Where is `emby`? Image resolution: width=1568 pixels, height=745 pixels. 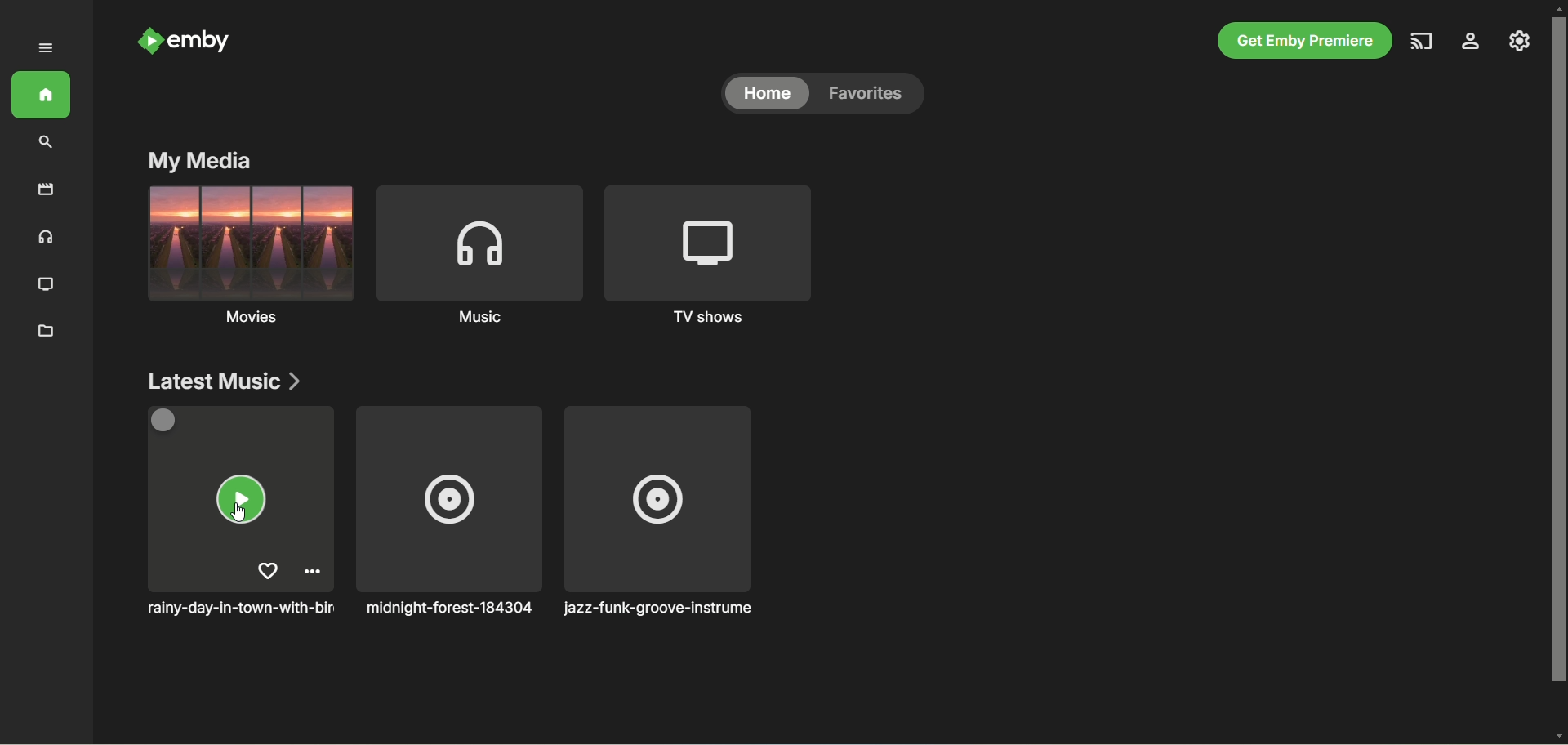
emby is located at coordinates (185, 42).